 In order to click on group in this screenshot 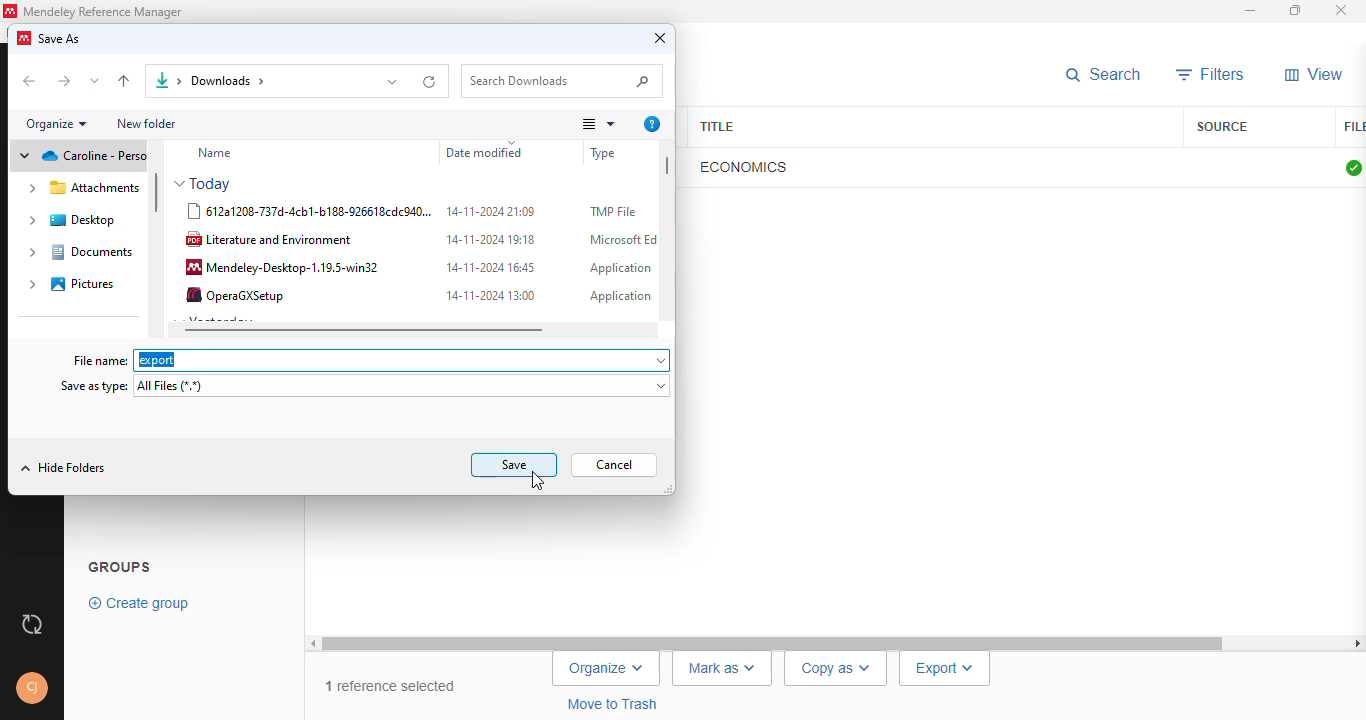, I will do `click(120, 566)`.